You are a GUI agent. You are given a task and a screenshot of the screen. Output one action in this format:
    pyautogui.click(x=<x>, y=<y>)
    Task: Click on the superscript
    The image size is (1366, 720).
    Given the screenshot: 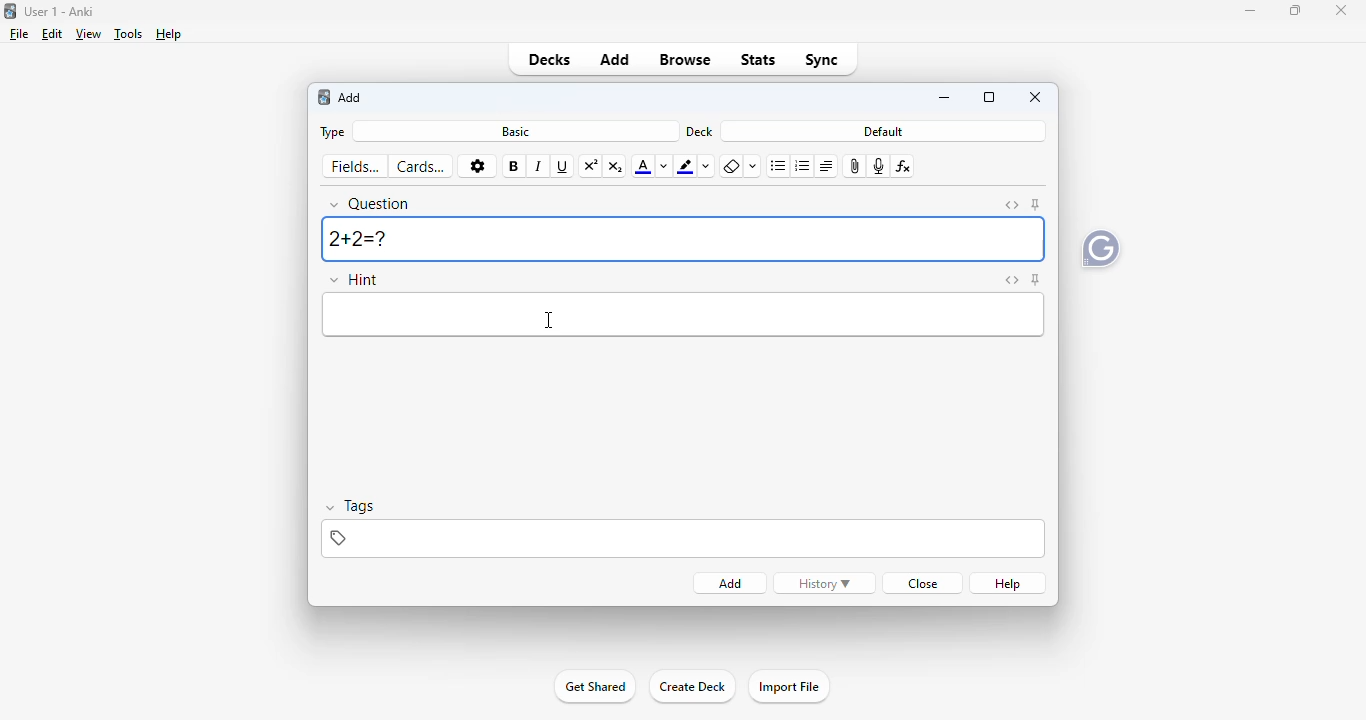 What is the action you would take?
    pyautogui.click(x=590, y=167)
    